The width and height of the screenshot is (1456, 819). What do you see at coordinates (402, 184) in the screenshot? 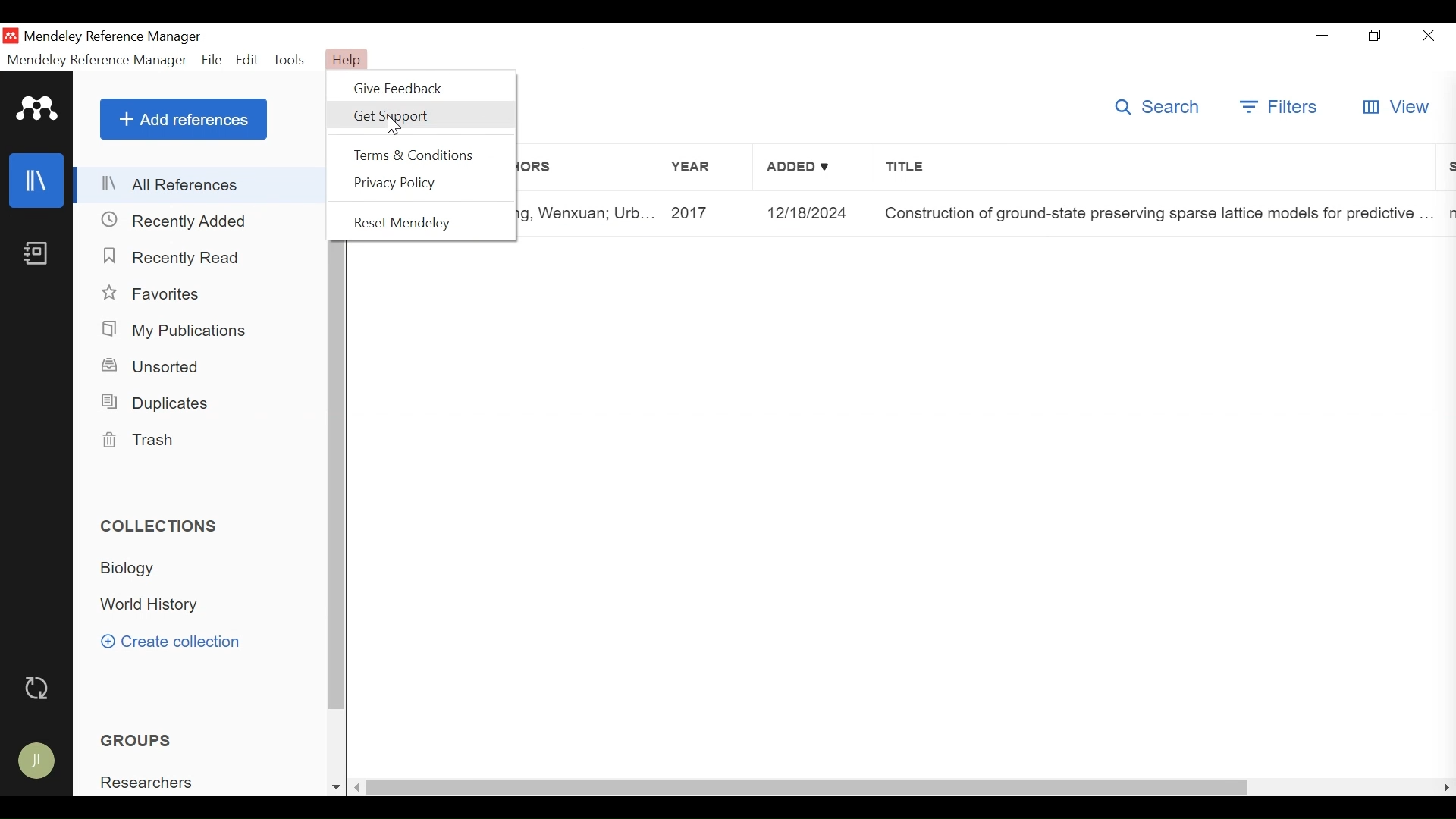
I see `Privacy Policy` at bounding box center [402, 184].